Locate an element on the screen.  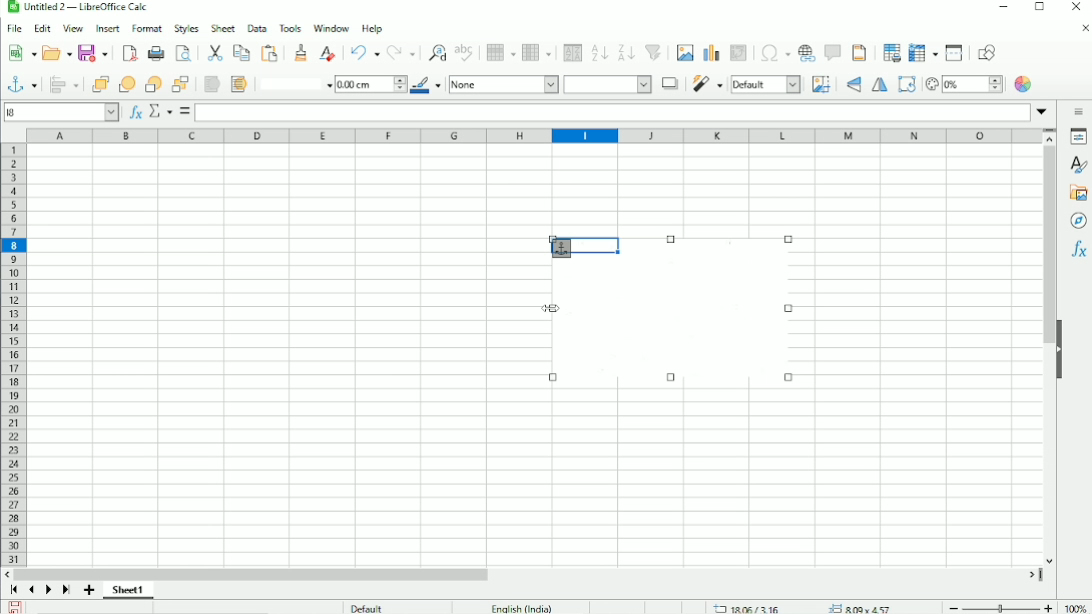
Close is located at coordinates (1076, 7).